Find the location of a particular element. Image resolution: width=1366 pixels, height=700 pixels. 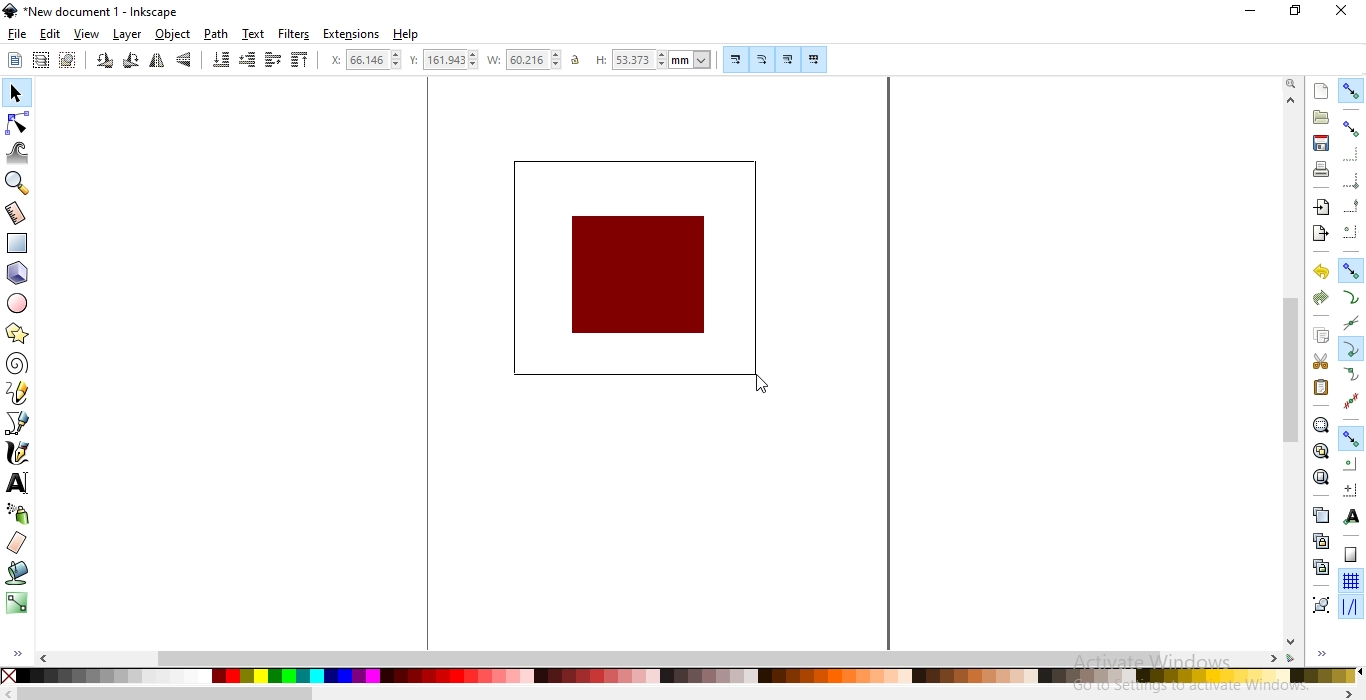

create 3d boxes is located at coordinates (18, 274).